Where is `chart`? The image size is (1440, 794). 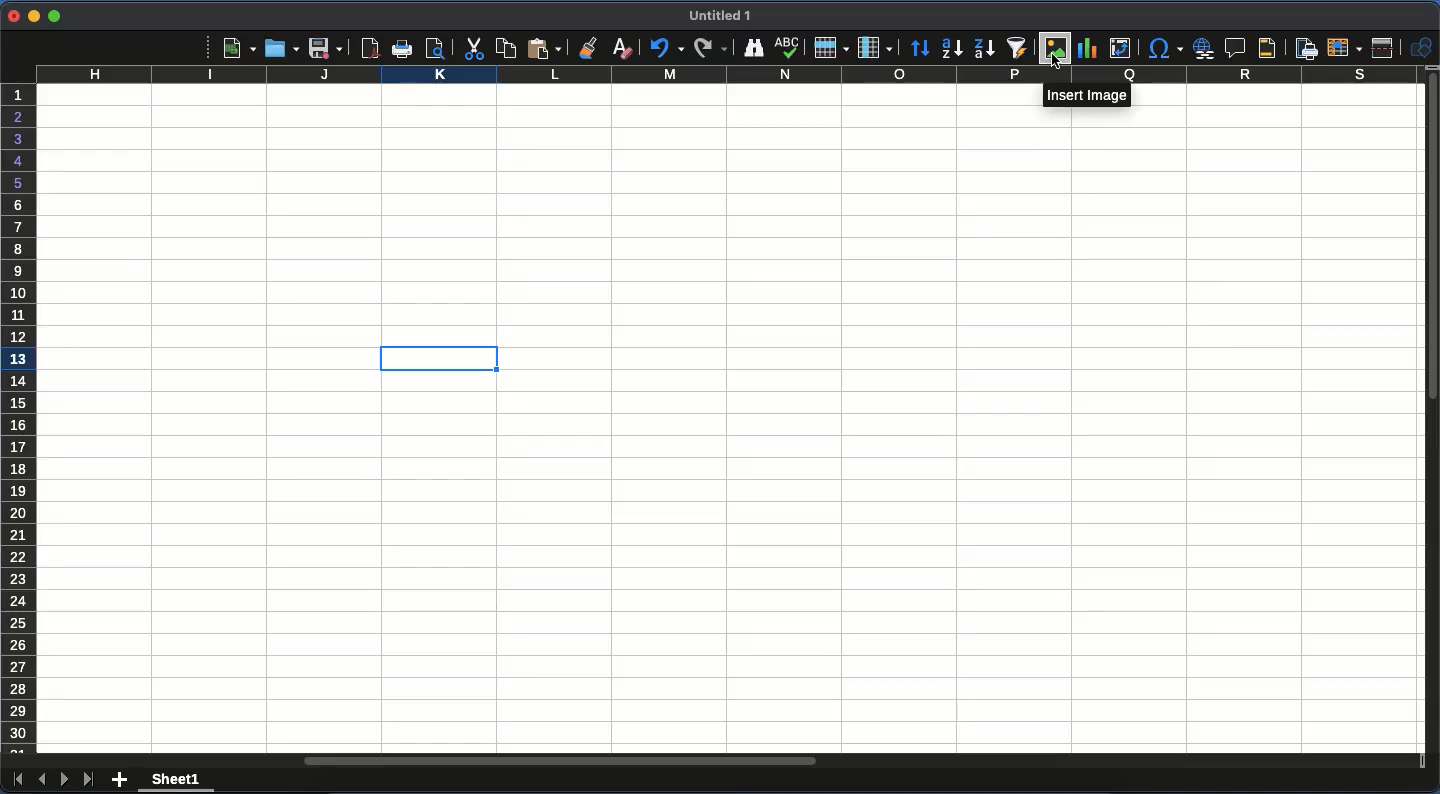
chart is located at coordinates (1088, 49).